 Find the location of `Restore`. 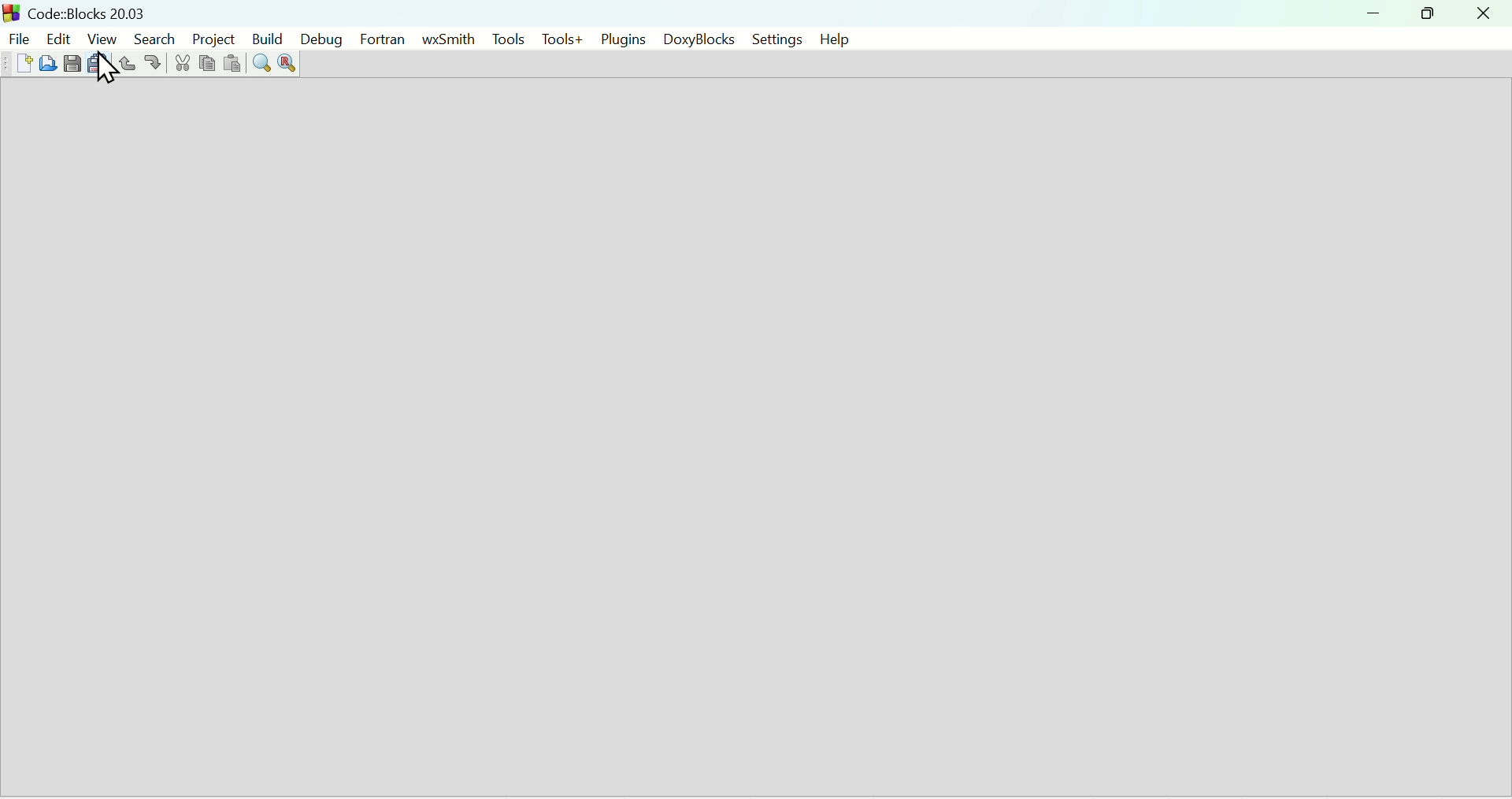

Restore is located at coordinates (1423, 13).